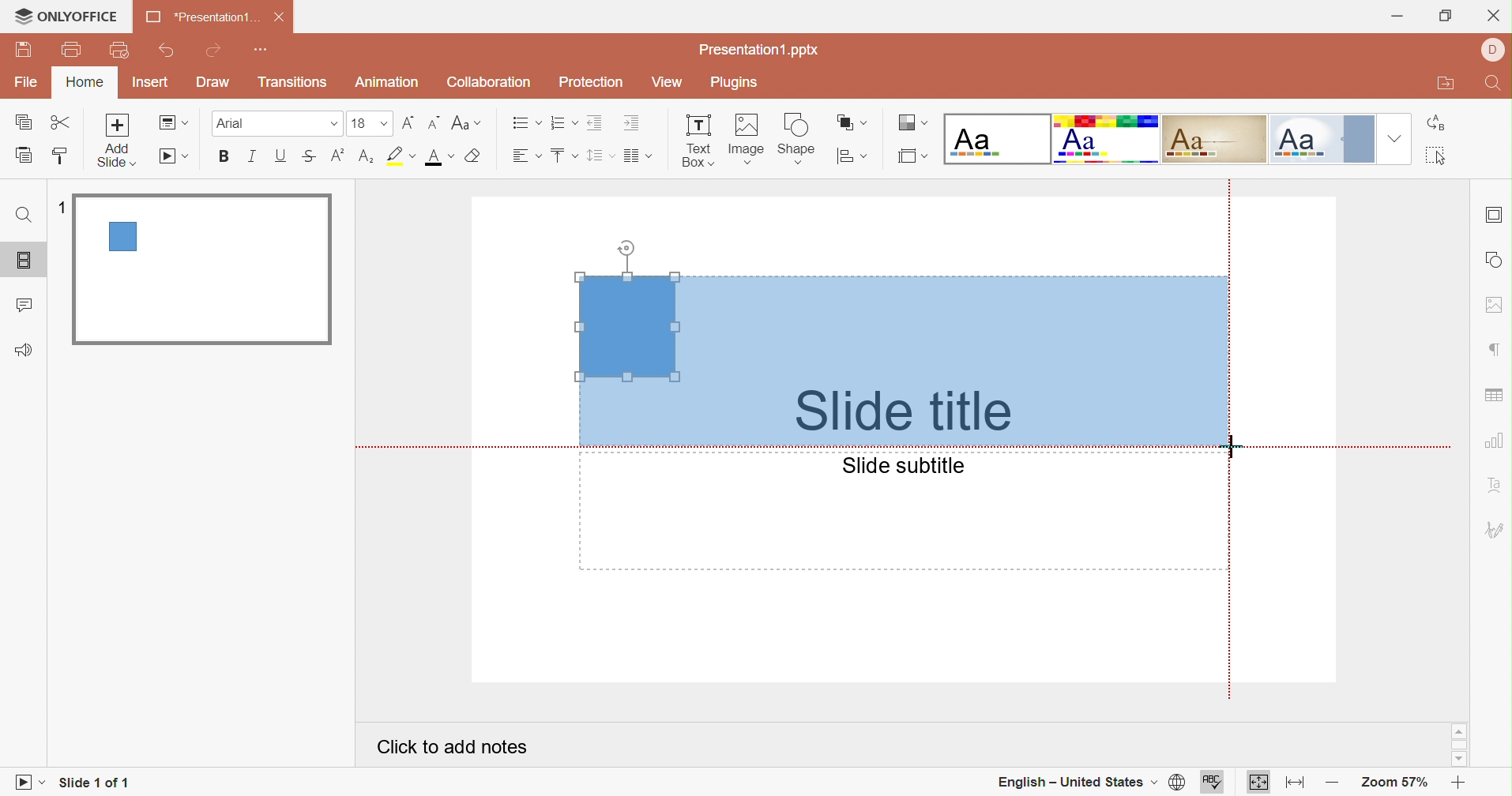 This screenshot has height=796, width=1512. I want to click on Paste, so click(24, 155).